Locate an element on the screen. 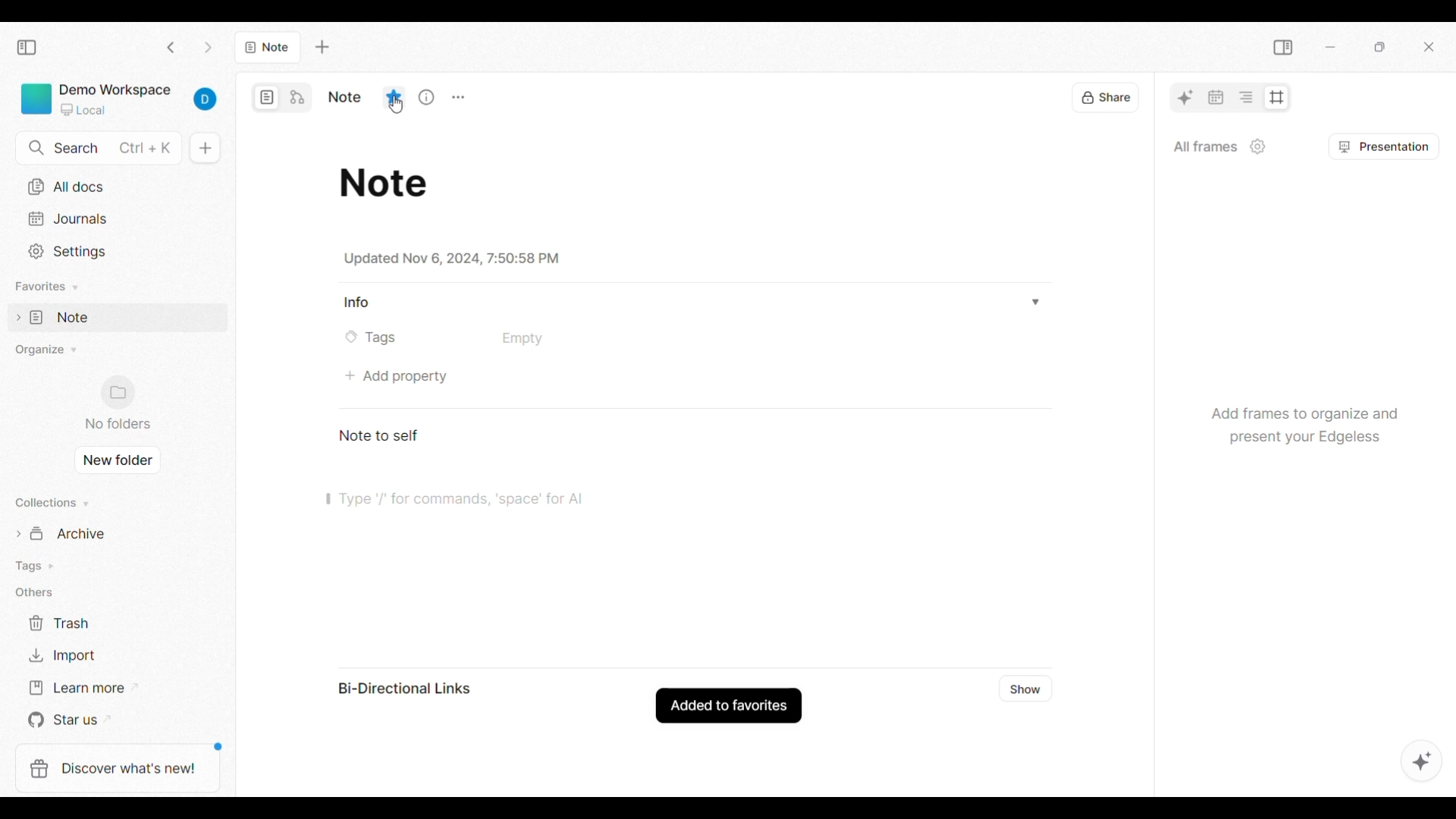 The image size is (1456, 819). star us is located at coordinates (89, 721).